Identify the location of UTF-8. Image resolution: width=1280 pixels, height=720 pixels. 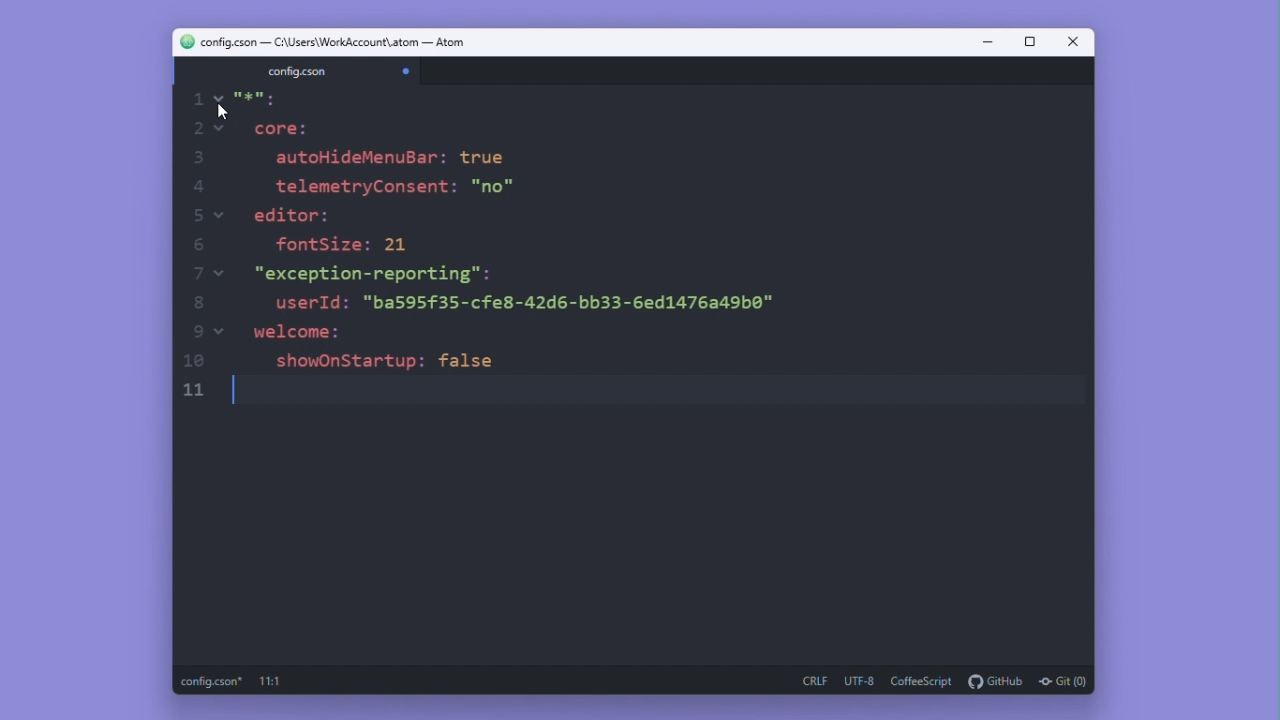
(861, 681).